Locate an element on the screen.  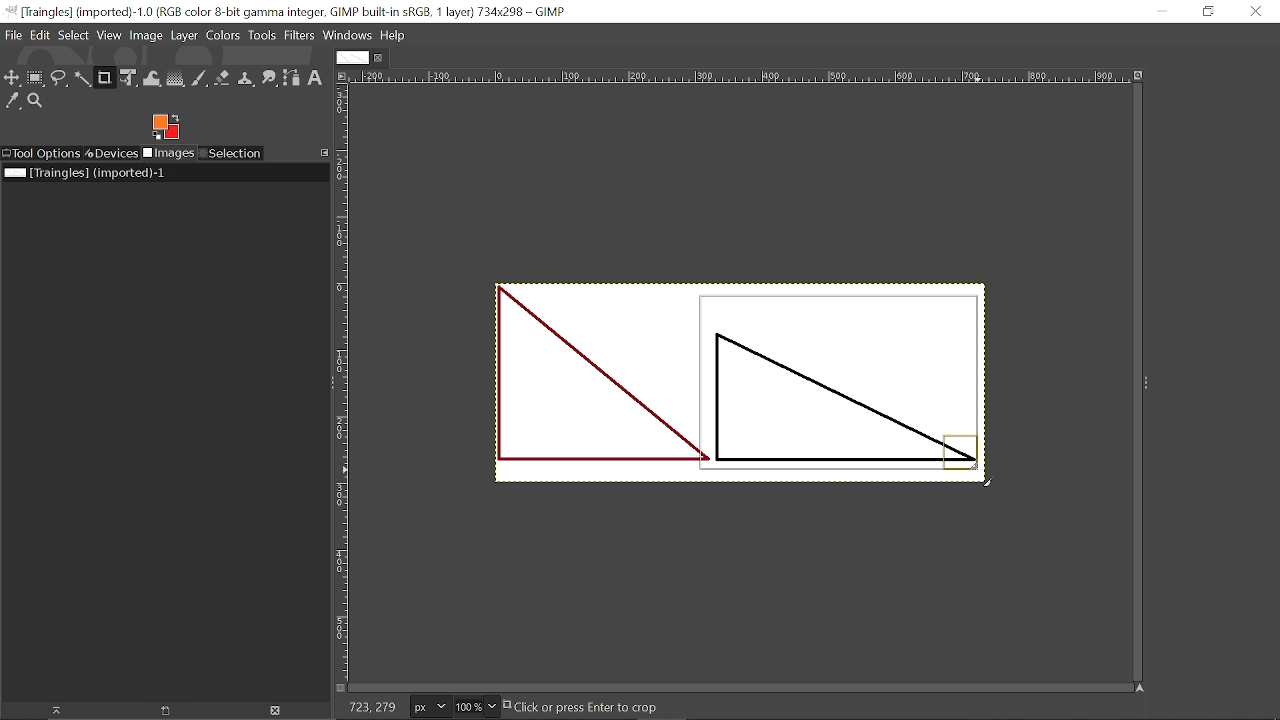
Close current tab is located at coordinates (379, 57).